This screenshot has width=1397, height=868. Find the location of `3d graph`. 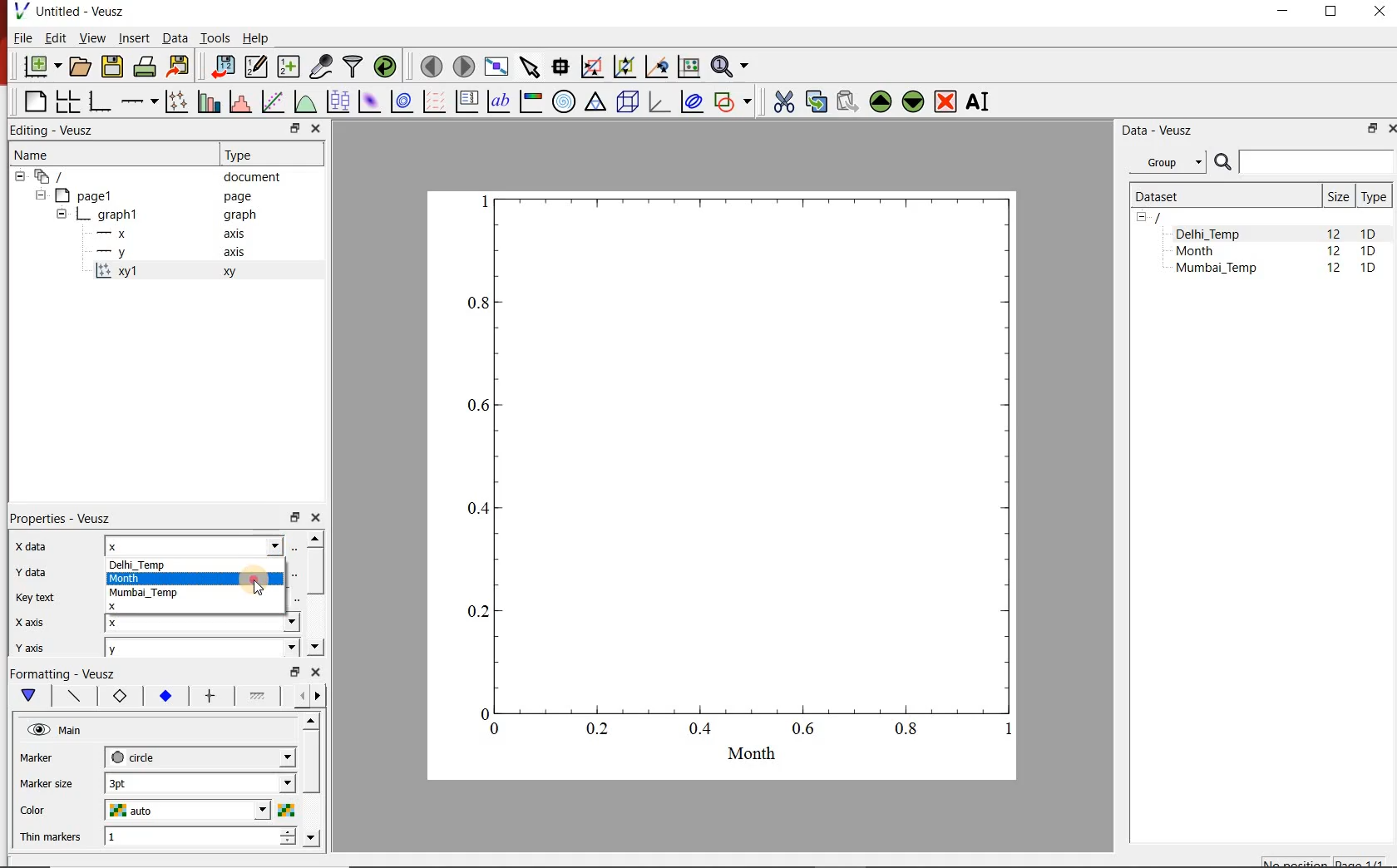

3d graph is located at coordinates (657, 101).